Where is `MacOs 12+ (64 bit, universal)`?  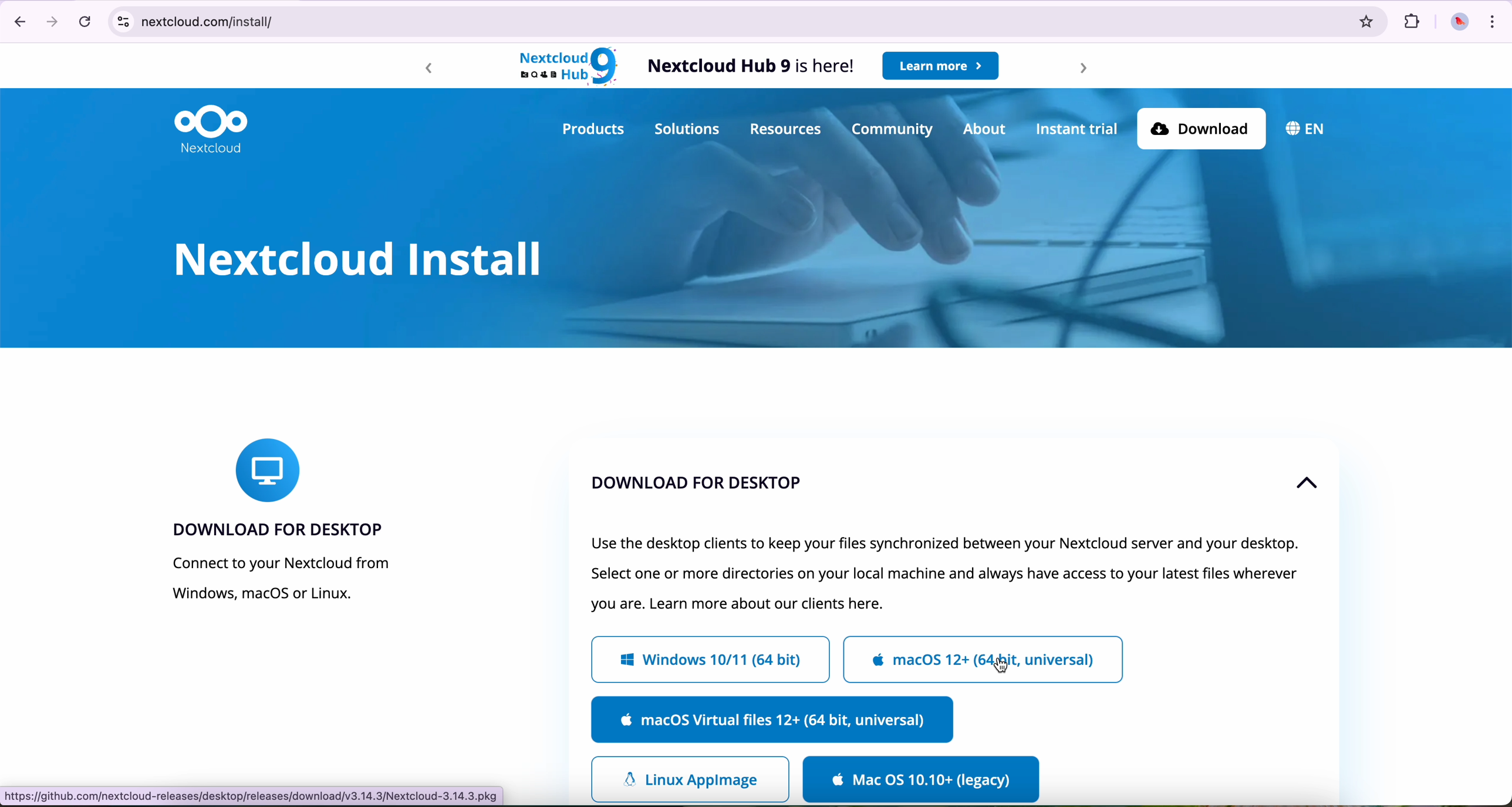 MacOs 12+ (64 bit, universal) is located at coordinates (984, 660).